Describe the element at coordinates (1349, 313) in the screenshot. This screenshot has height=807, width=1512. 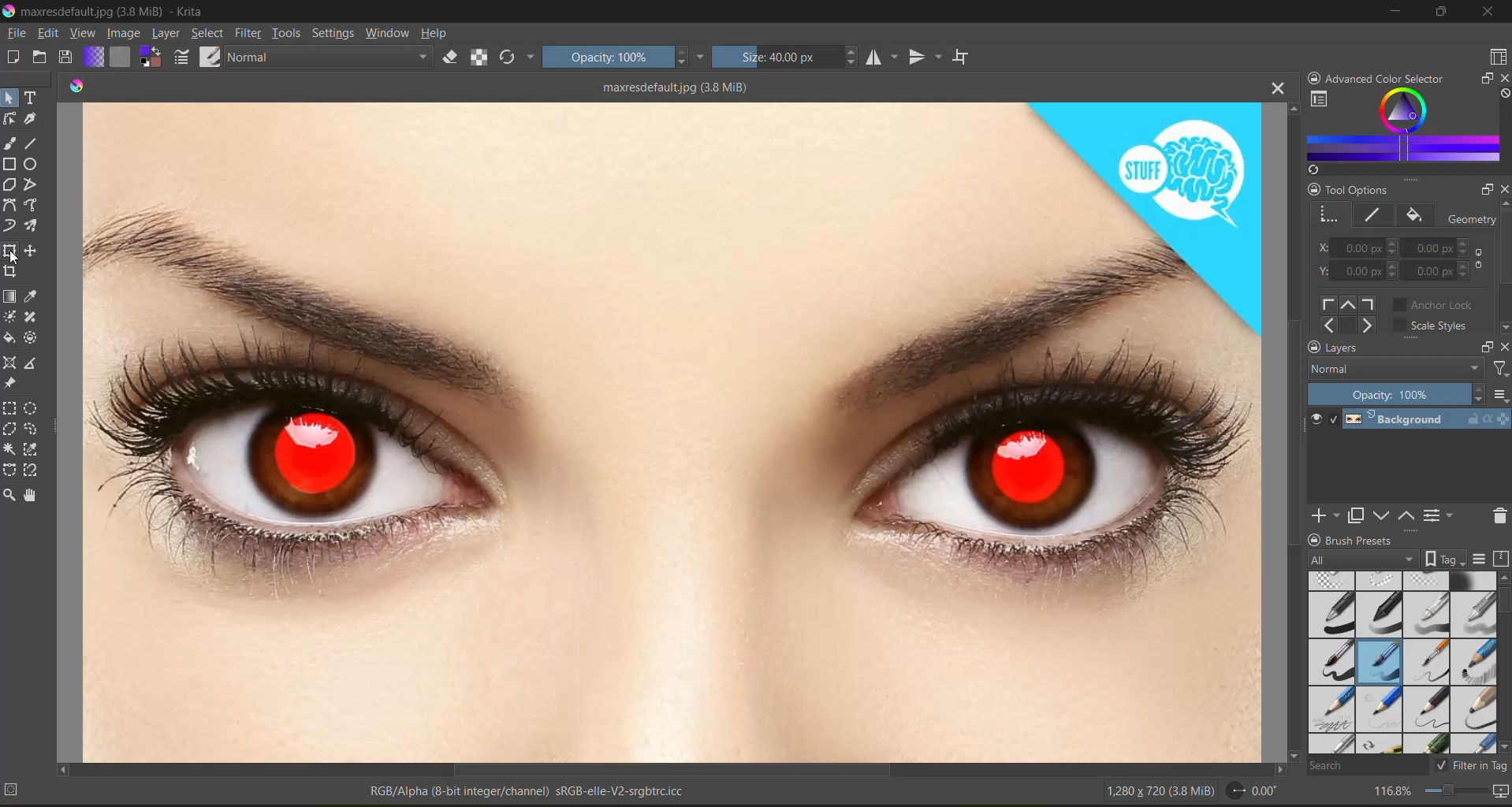
I see `Navigation` at that location.